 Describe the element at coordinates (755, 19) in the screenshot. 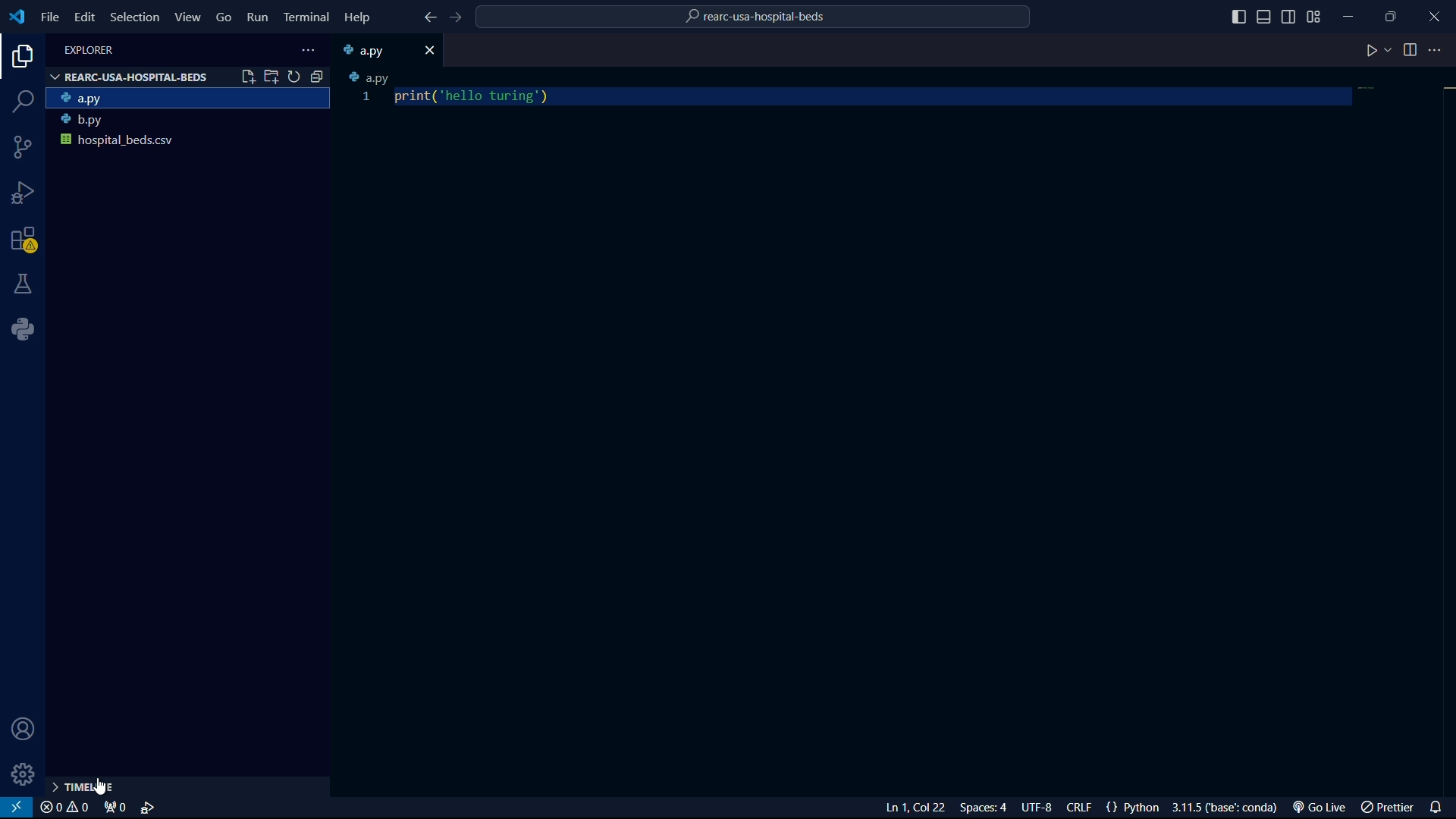

I see `folder name` at that location.